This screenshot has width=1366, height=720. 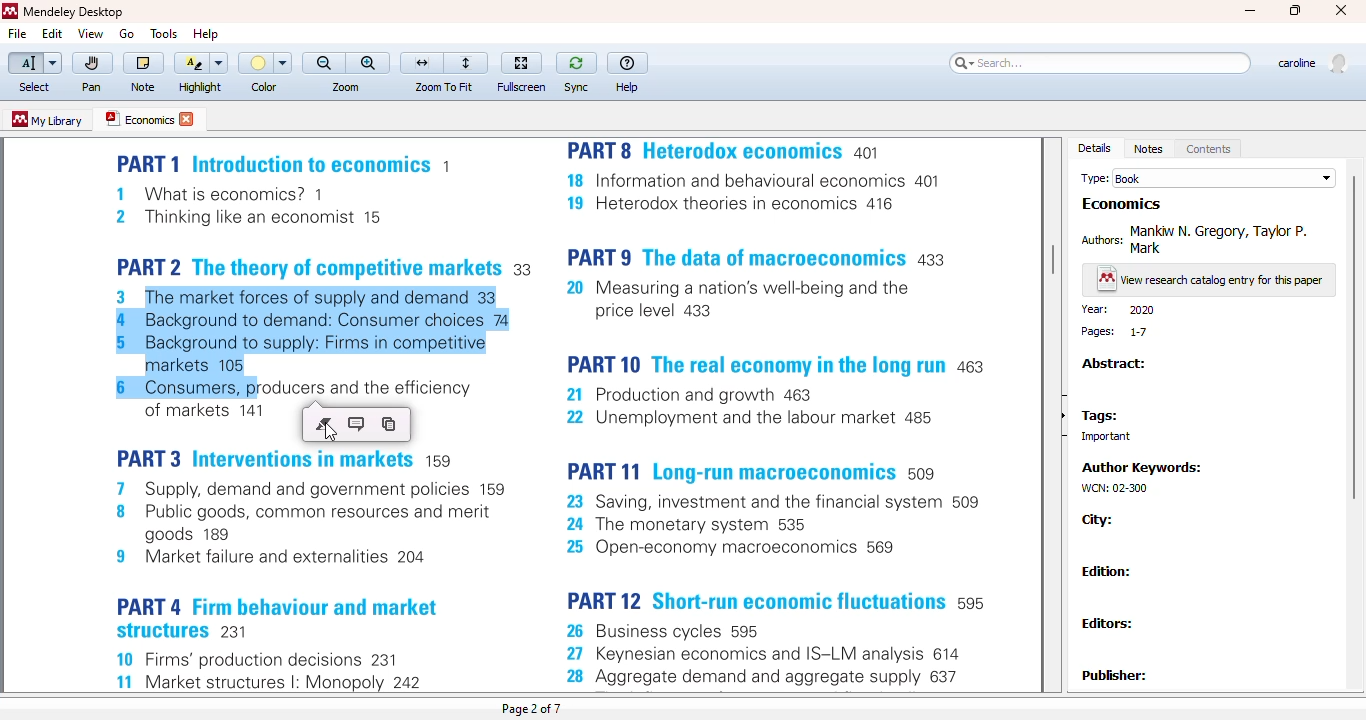 I want to click on edition, so click(x=1107, y=571).